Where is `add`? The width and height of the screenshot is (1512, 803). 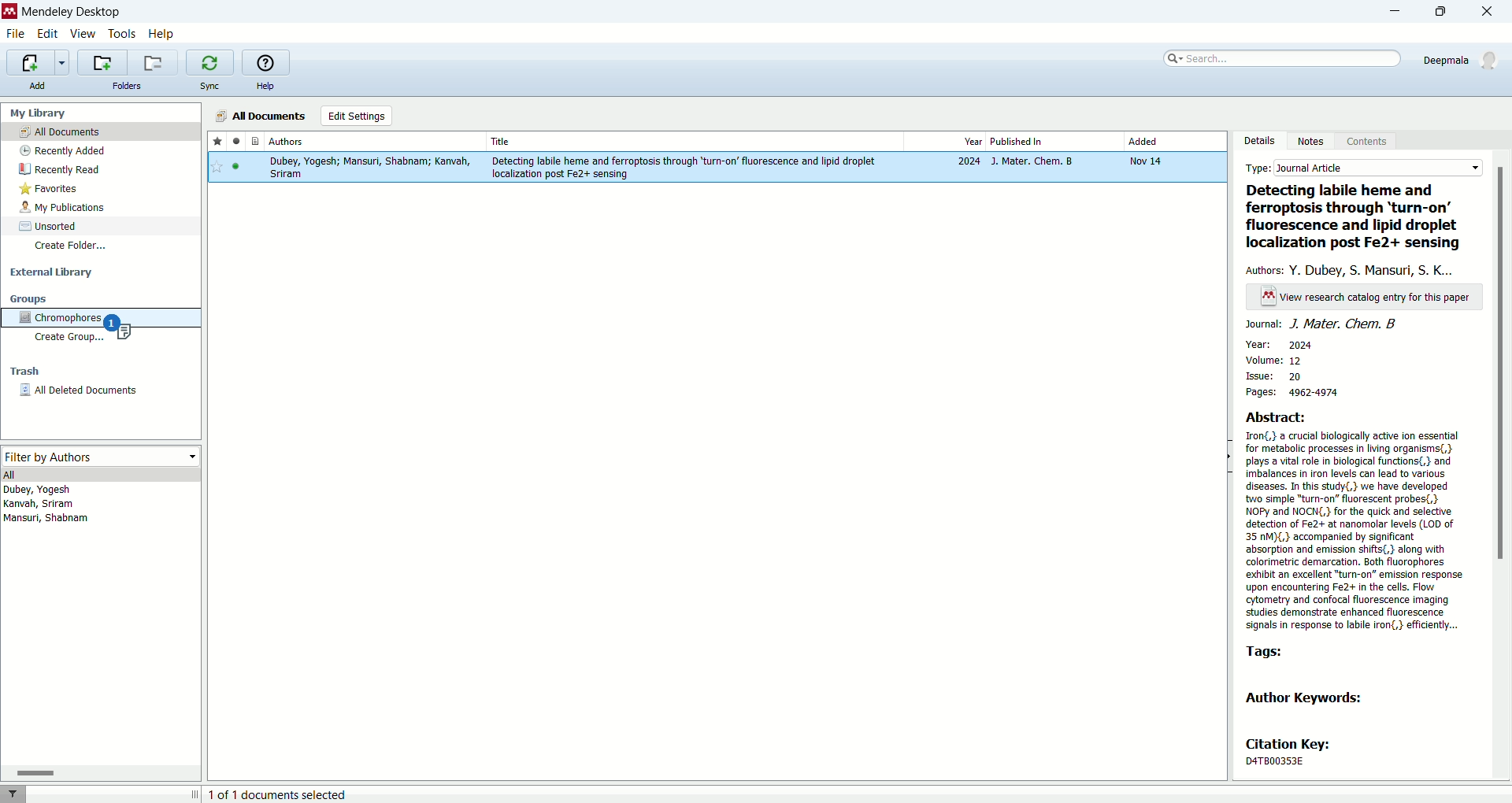 add is located at coordinates (39, 86).